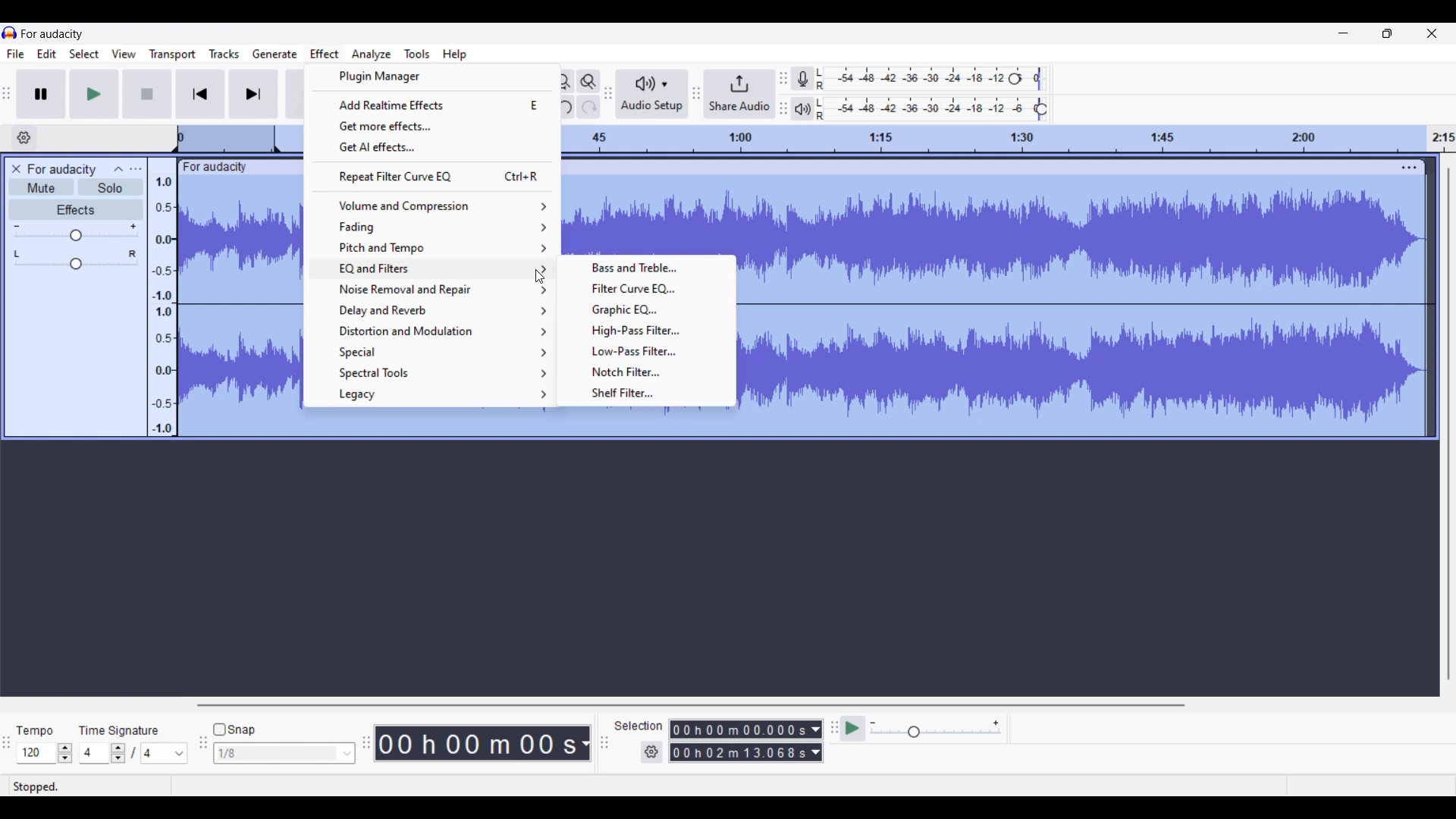 This screenshot has width=1456, height=819. I want to click on Selection, so click(639, 727).